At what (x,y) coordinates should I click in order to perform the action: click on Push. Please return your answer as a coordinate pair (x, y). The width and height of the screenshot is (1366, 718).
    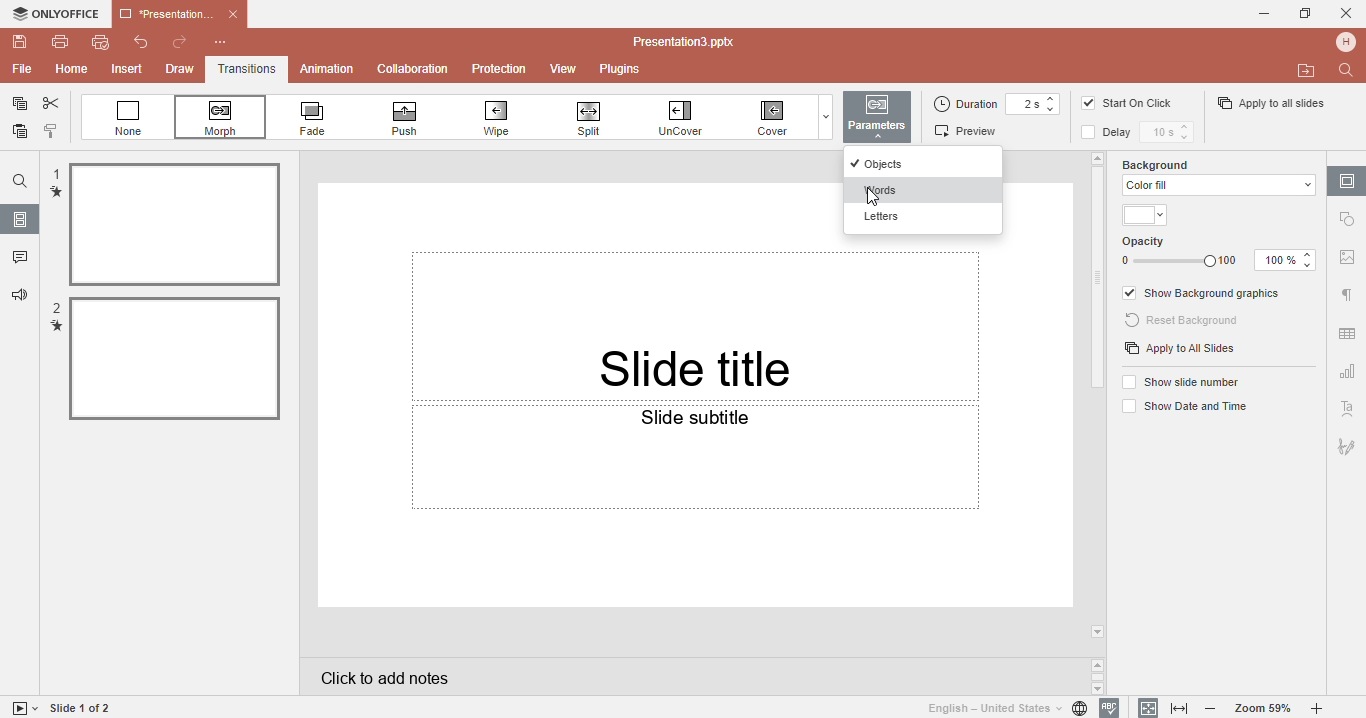
    Looking at the image, I should click on (421, 118).